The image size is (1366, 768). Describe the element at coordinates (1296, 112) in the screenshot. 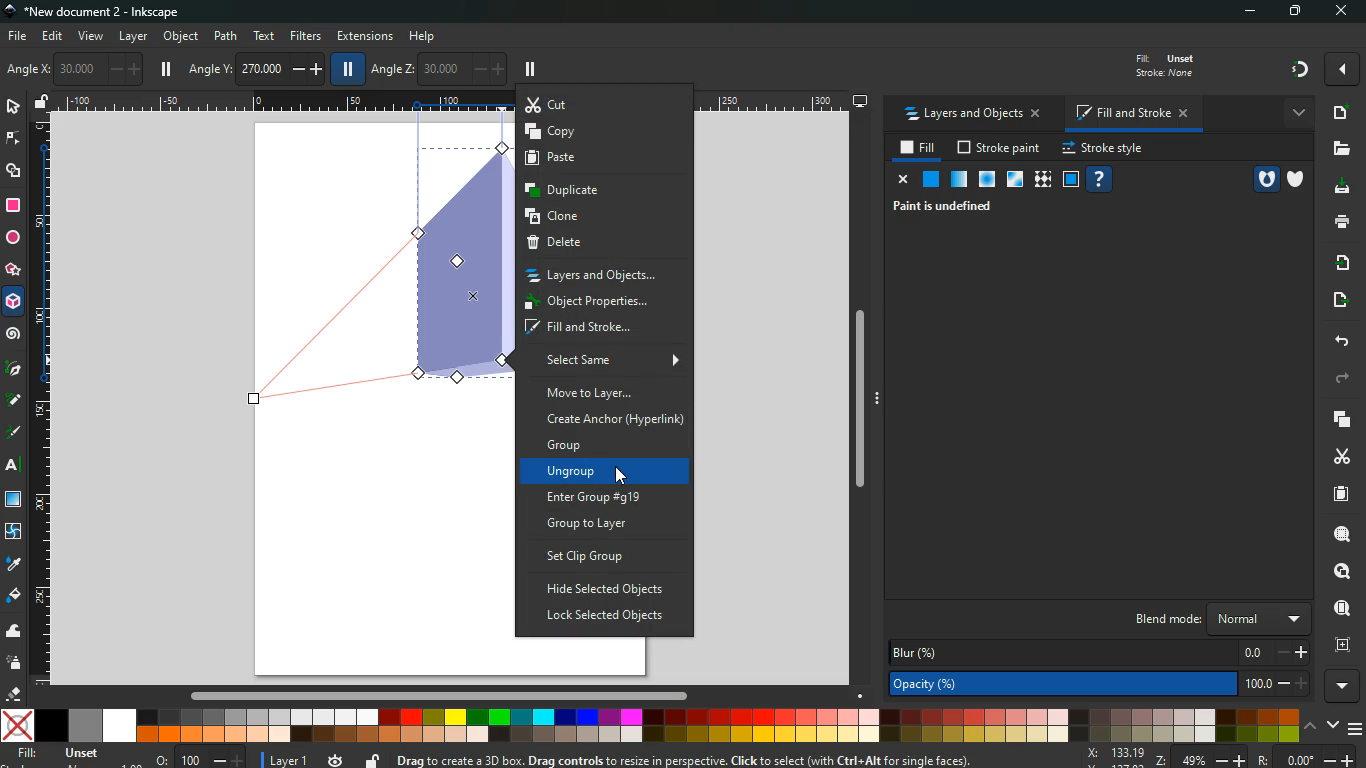

I see `more` at that location.